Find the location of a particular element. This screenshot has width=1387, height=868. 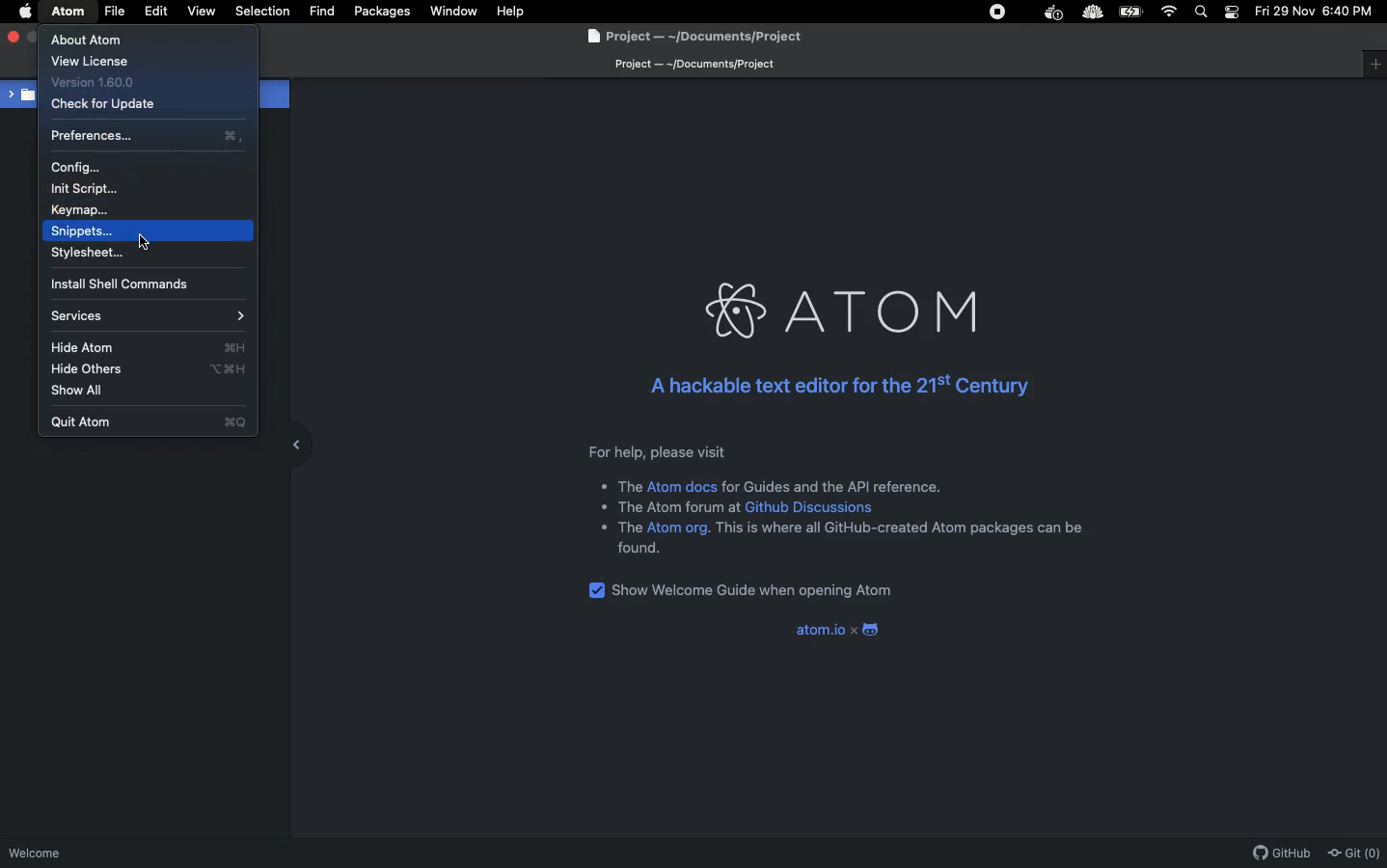

project is located at coordinates (21, 95).